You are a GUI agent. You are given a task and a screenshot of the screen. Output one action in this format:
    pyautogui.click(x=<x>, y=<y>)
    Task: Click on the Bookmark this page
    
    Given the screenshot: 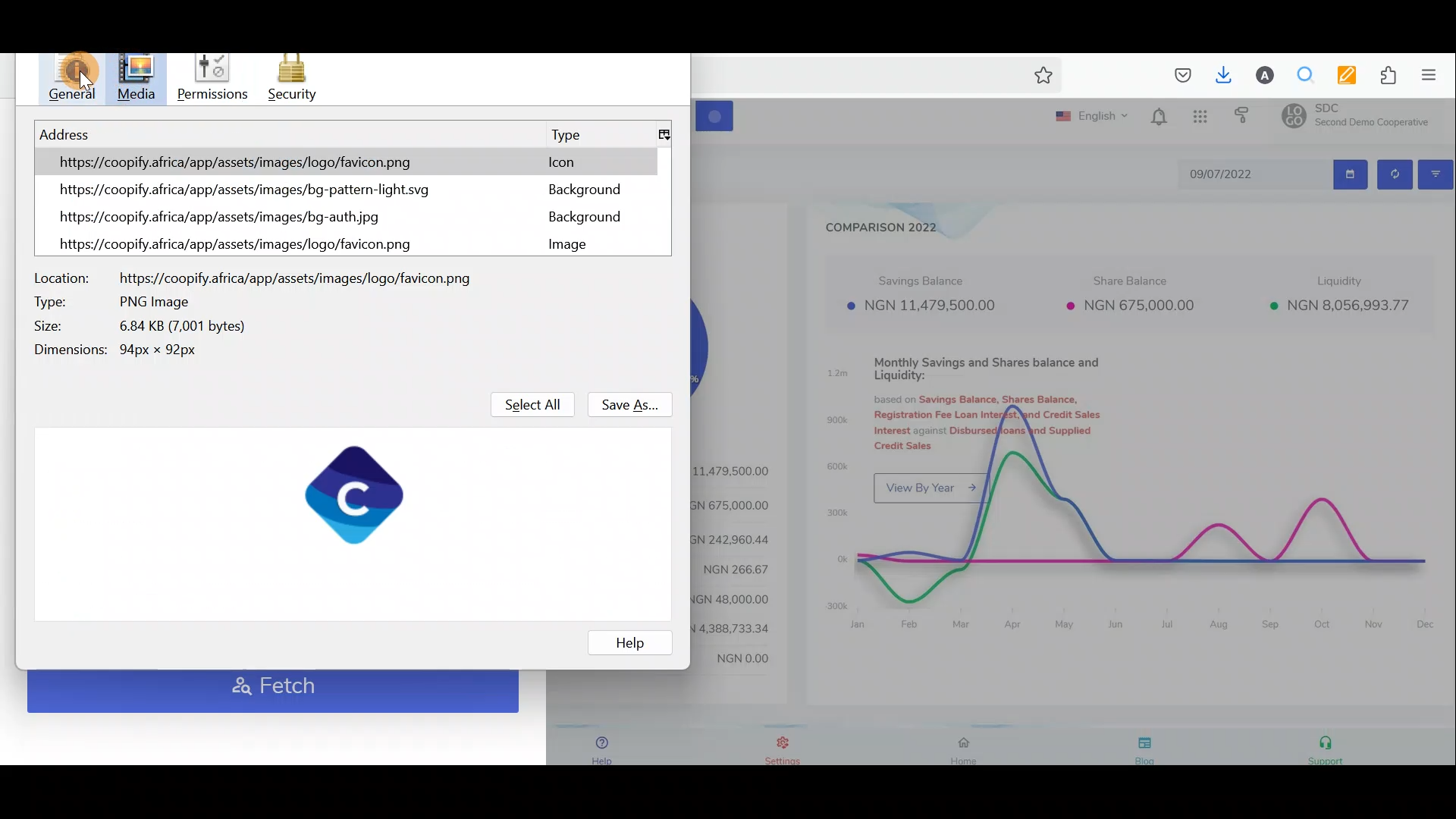 What is the action you would take?
    pyautogui.click(x=1040, y=78)
    